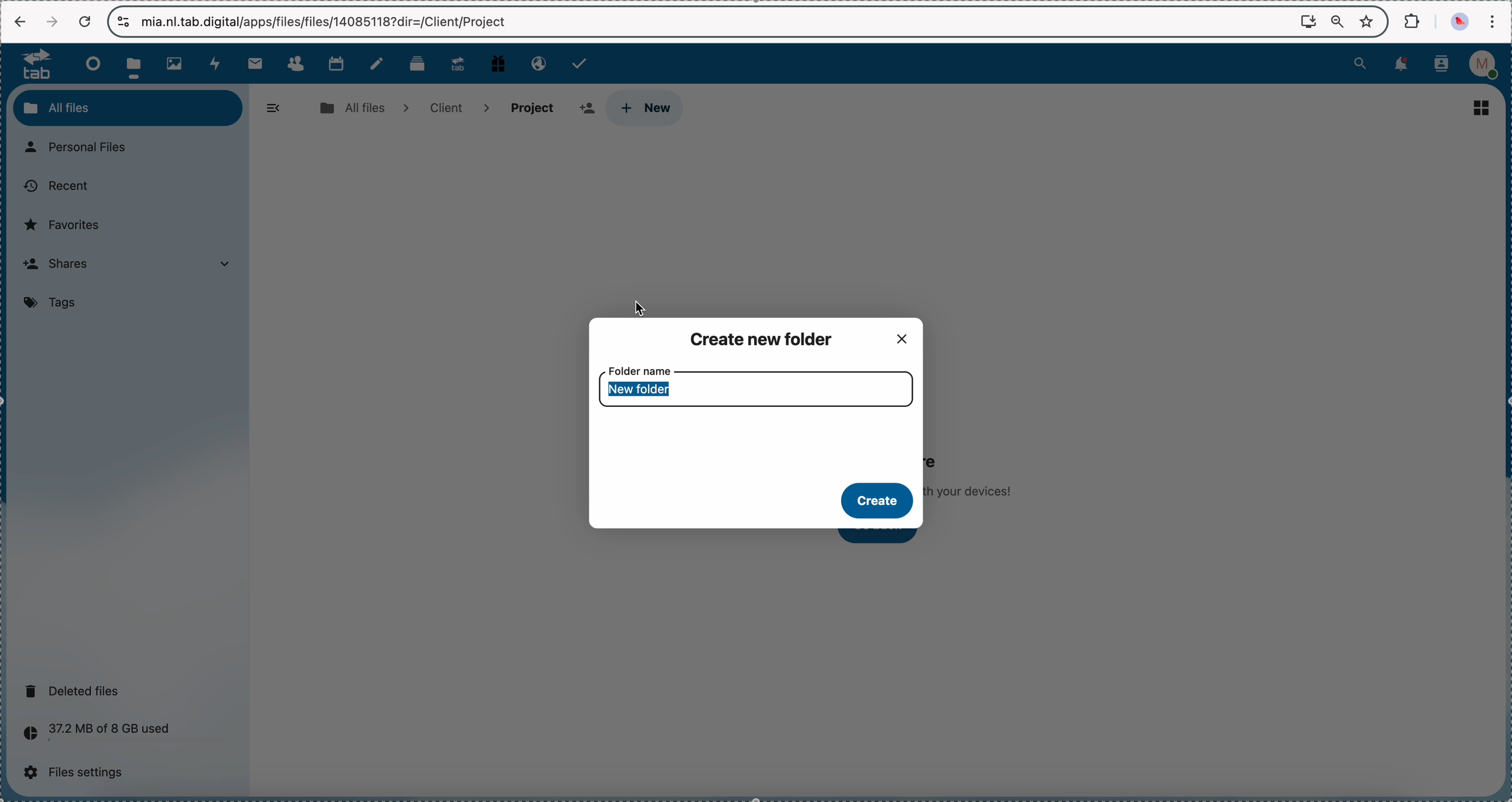 The height and width of the screenshot is (802, 1512). What do you see at coordinates (76, 690) in the screenshot?
I see `deleted files` at bounding box center [76, 690].